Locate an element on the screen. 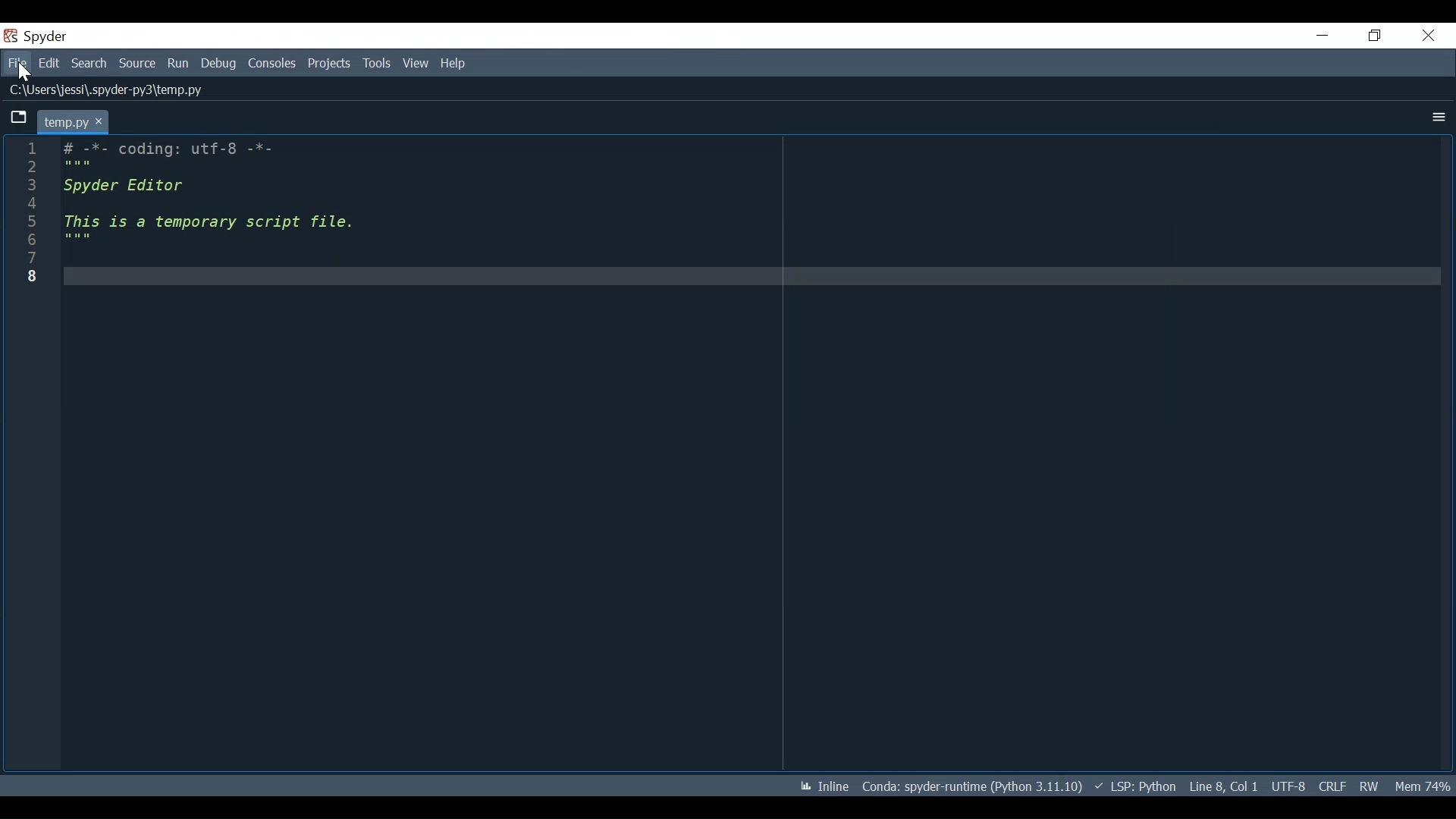 The height and width of the screenshot is (819, 1456). Edit is located at coordinates (49, 63).